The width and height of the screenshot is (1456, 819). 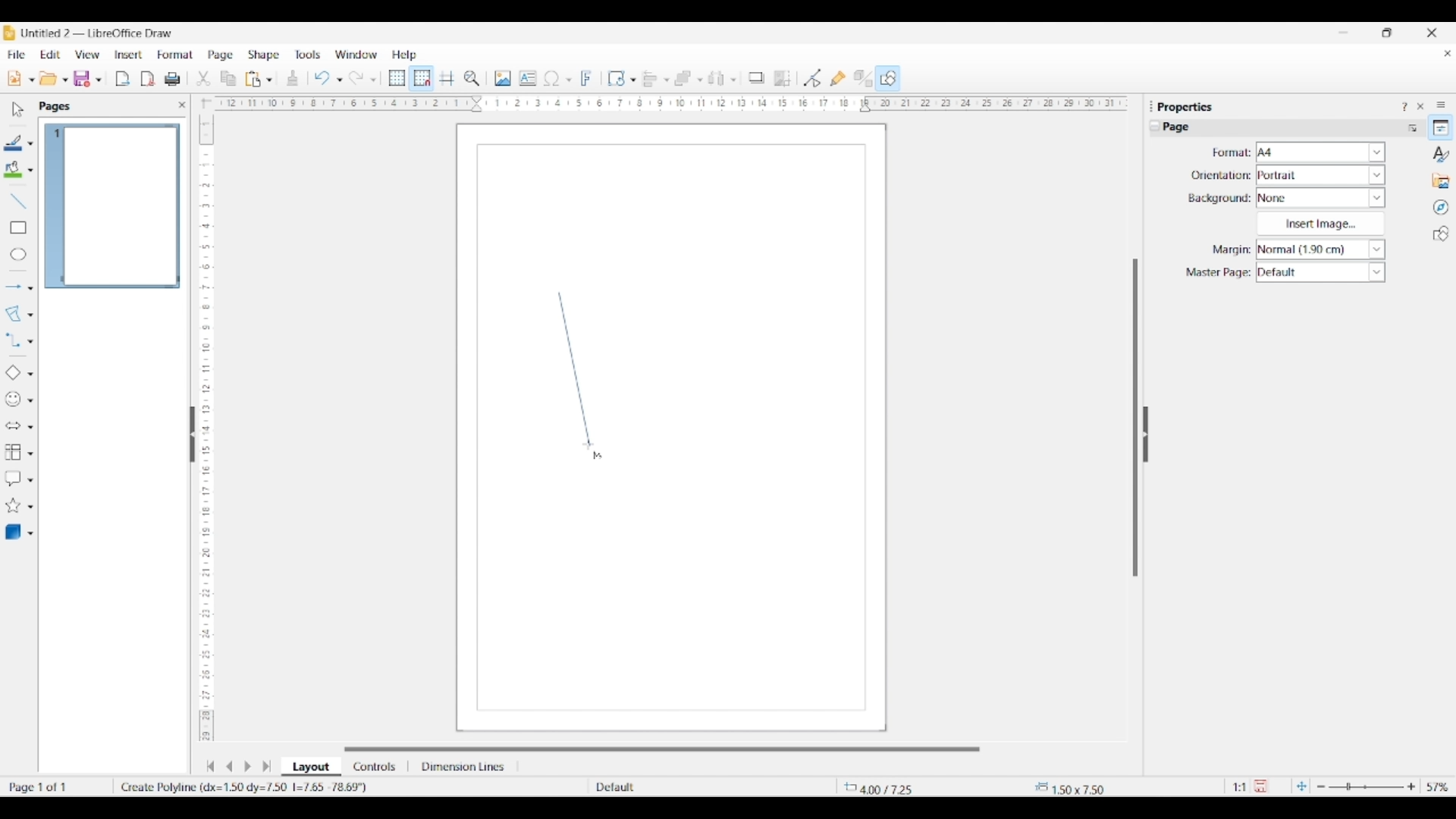 What do you see at coordinates (83, 78) in the screenshot?
I see `Selected save option` at bounding box center [83, 78].